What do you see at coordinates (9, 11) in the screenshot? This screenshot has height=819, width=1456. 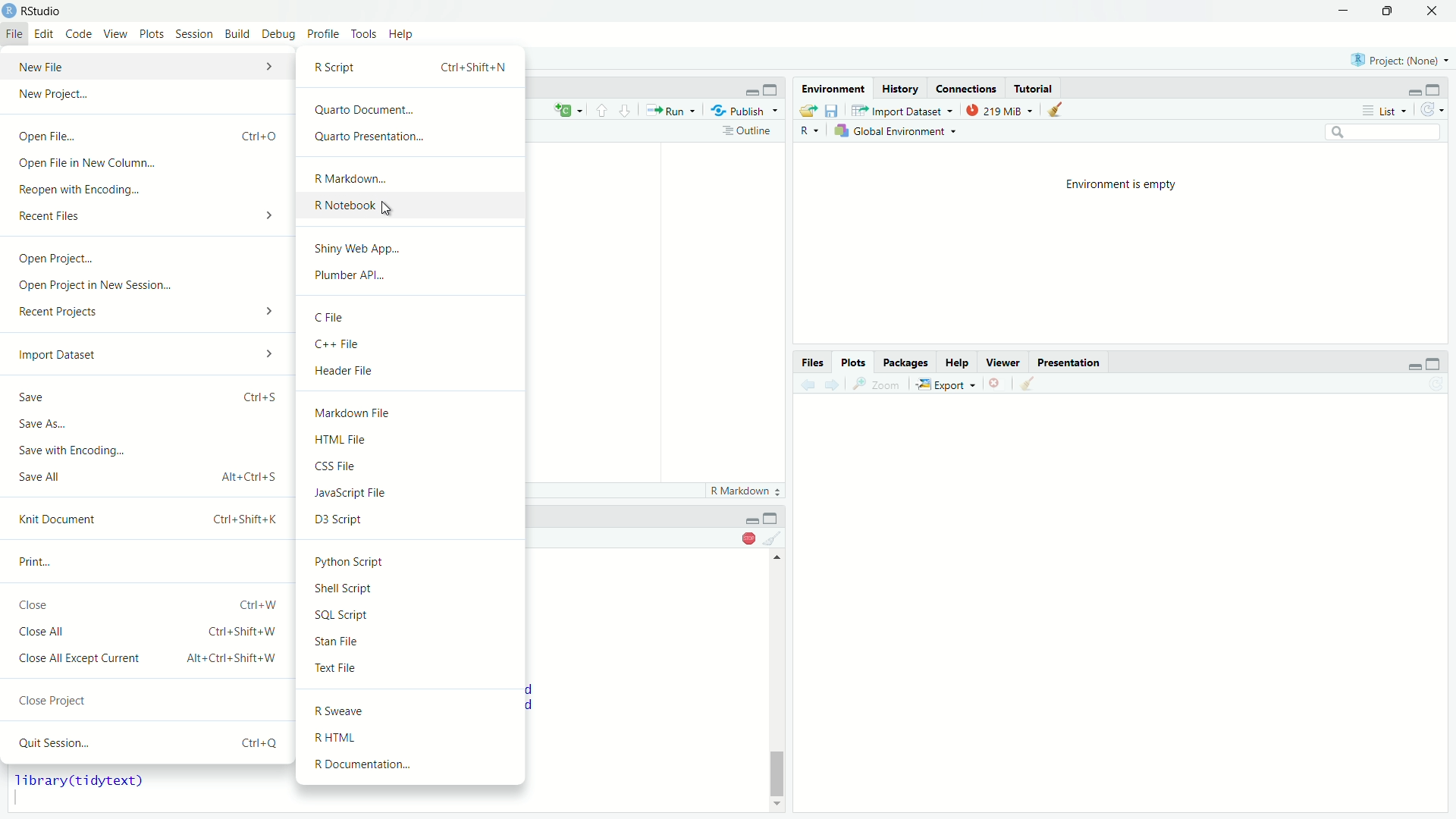 I see `Logo` at bounding box center [9, 11].